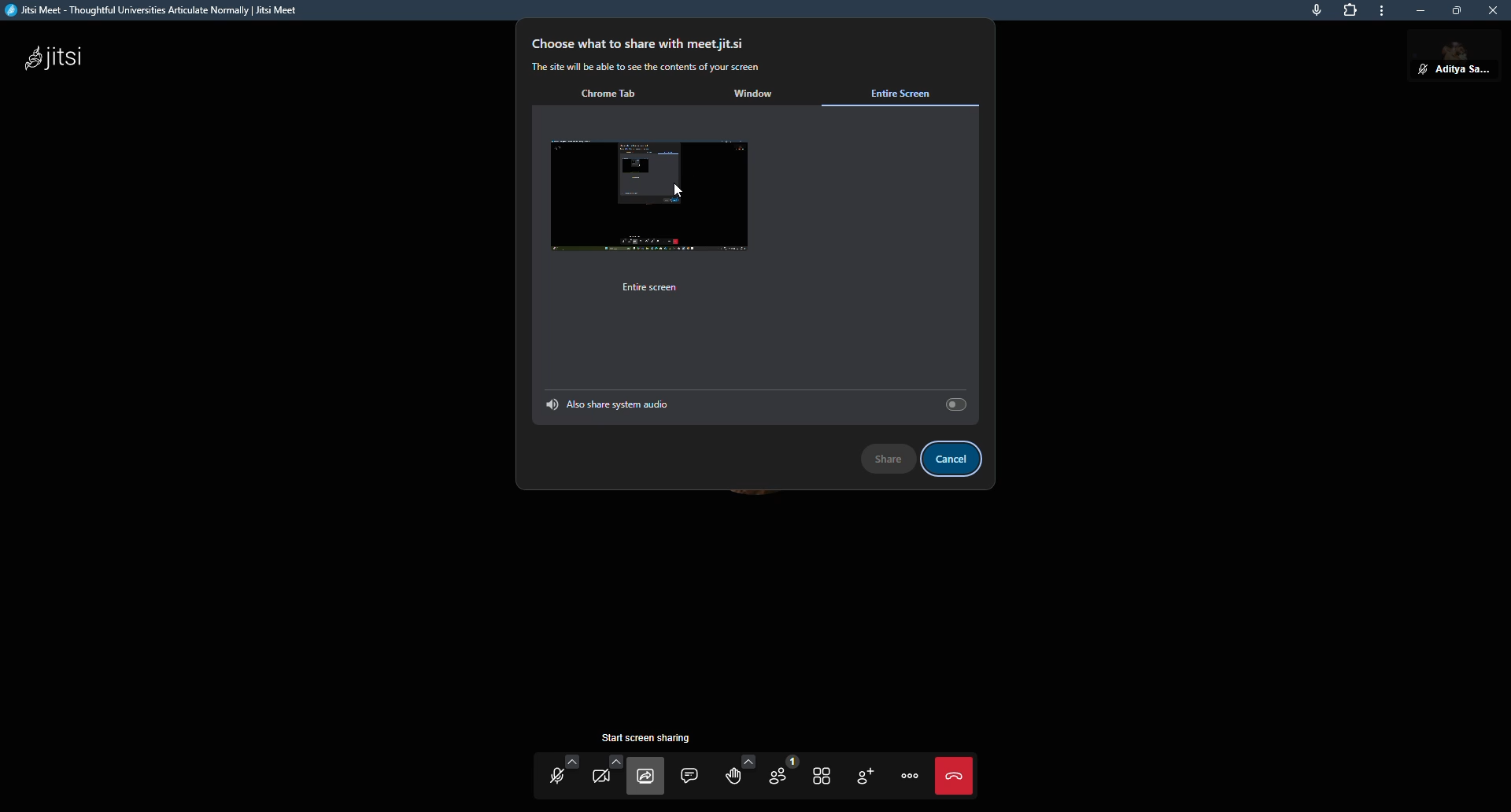  Describe the element at coordinates (648, 776) in the screenshot. I see `start screen sharing` at that location.